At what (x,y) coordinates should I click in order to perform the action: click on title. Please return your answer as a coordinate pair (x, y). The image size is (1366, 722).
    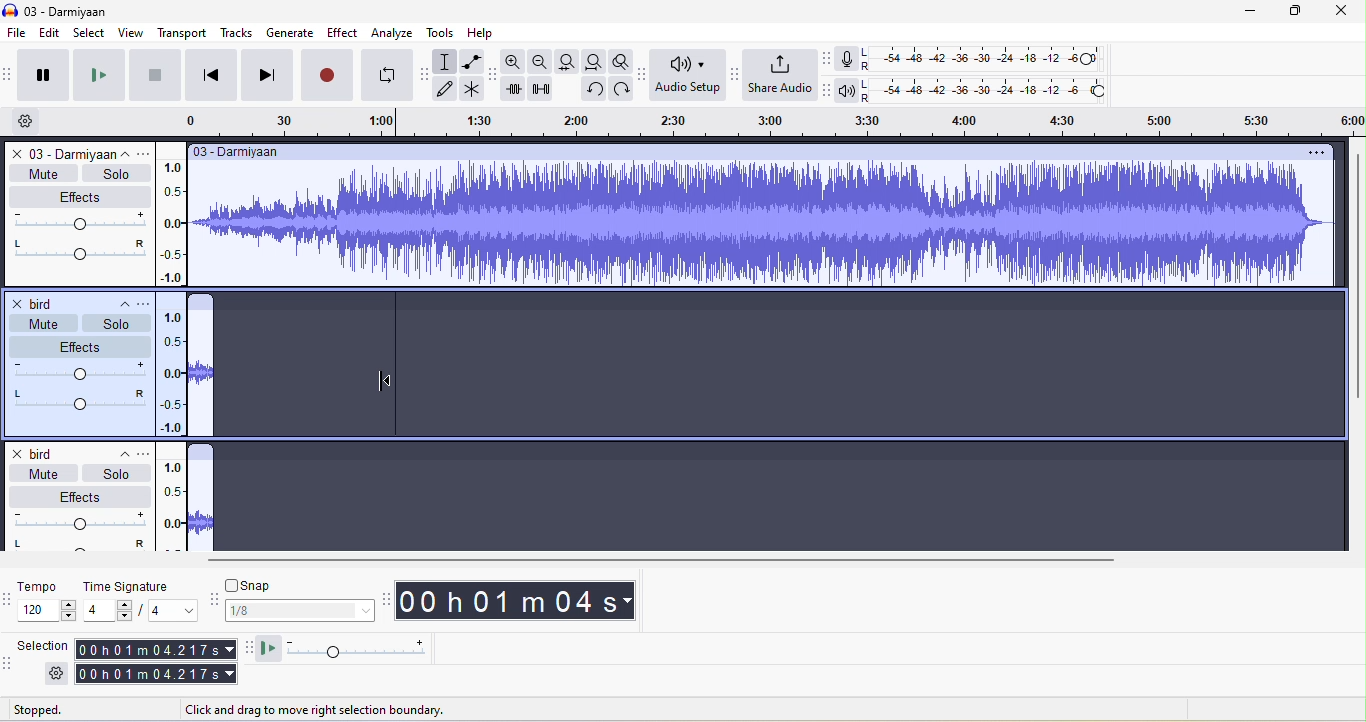
    Looking at the image, I should click on (65, 8).